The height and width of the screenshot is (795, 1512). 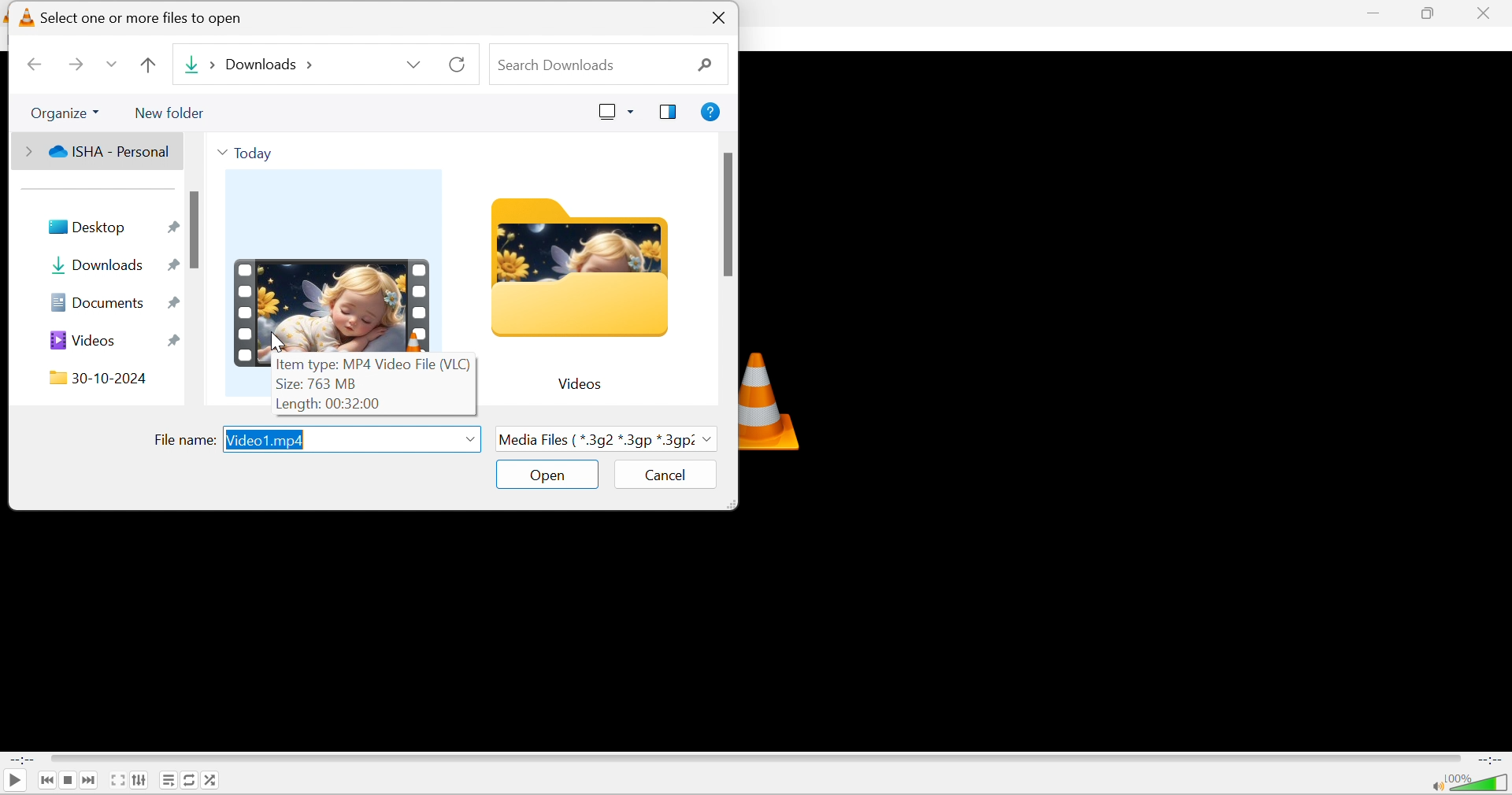 I want to click on Show extended settings, so click(x=142, y=780).